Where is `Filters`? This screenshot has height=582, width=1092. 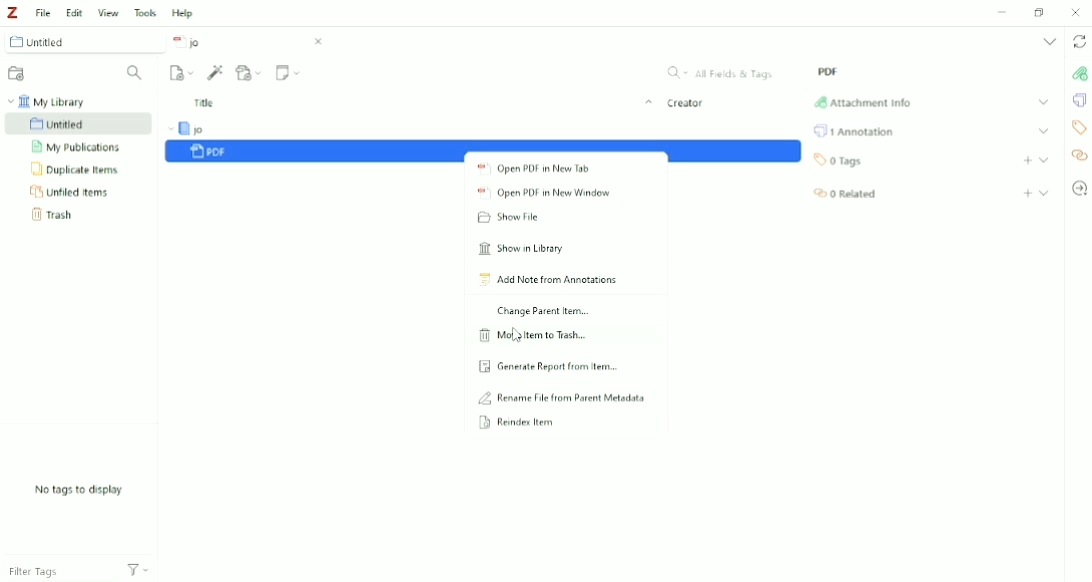 Filters is located at coordinates (146, 564).